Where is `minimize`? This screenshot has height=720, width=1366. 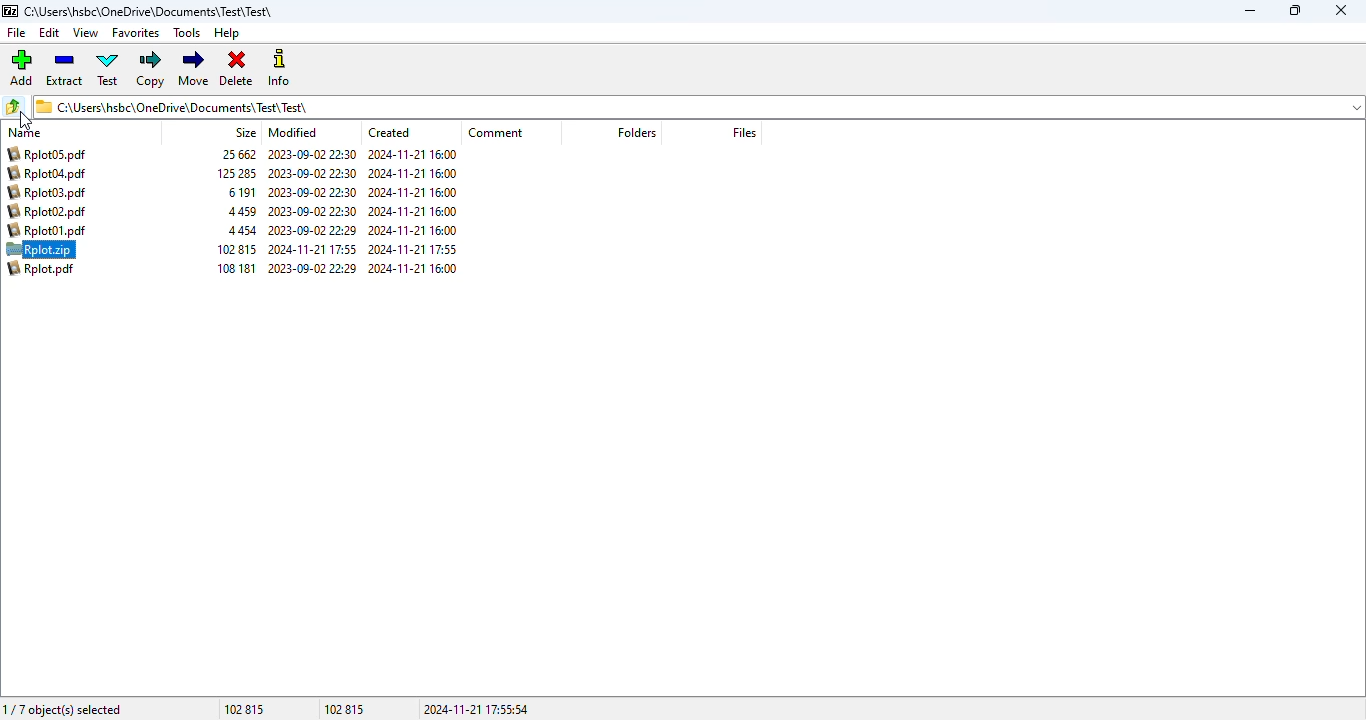
minimize is located at coordinates (1249, 11).